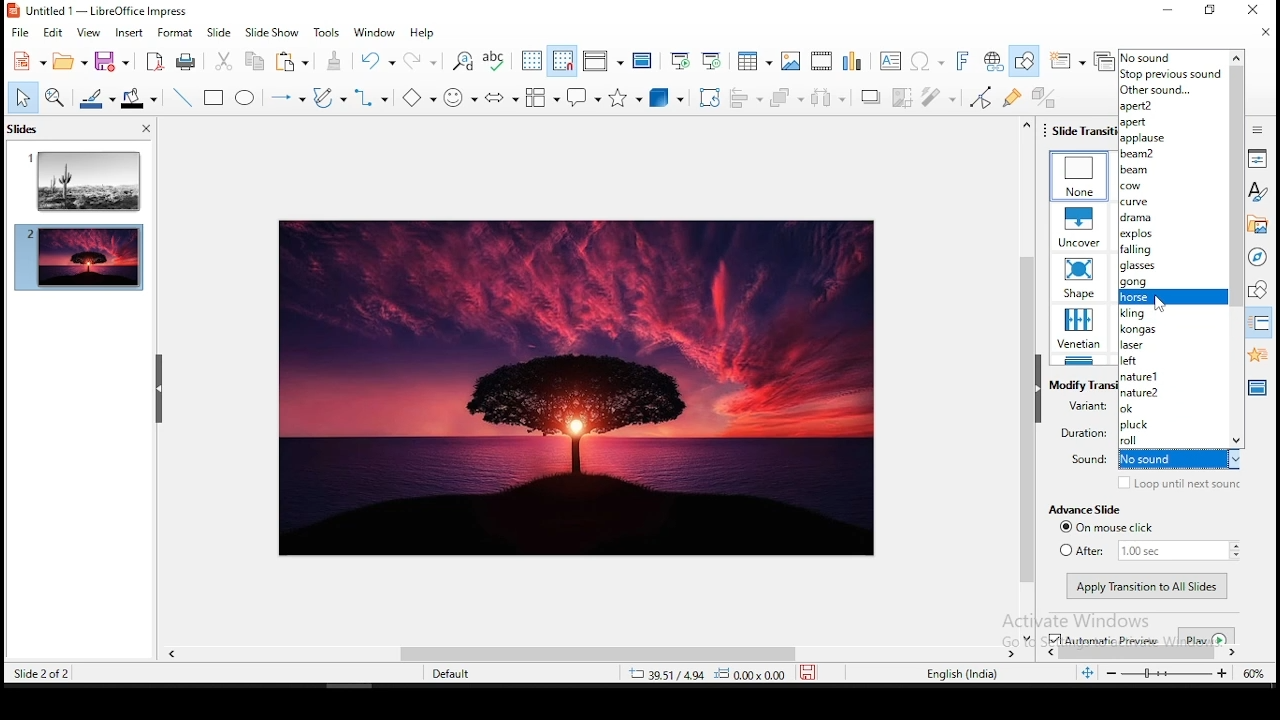 The image size is (1280, 720). Describe the element at coordinates (819, 60) in the screenshot. I see `insert audio and video` at that location.